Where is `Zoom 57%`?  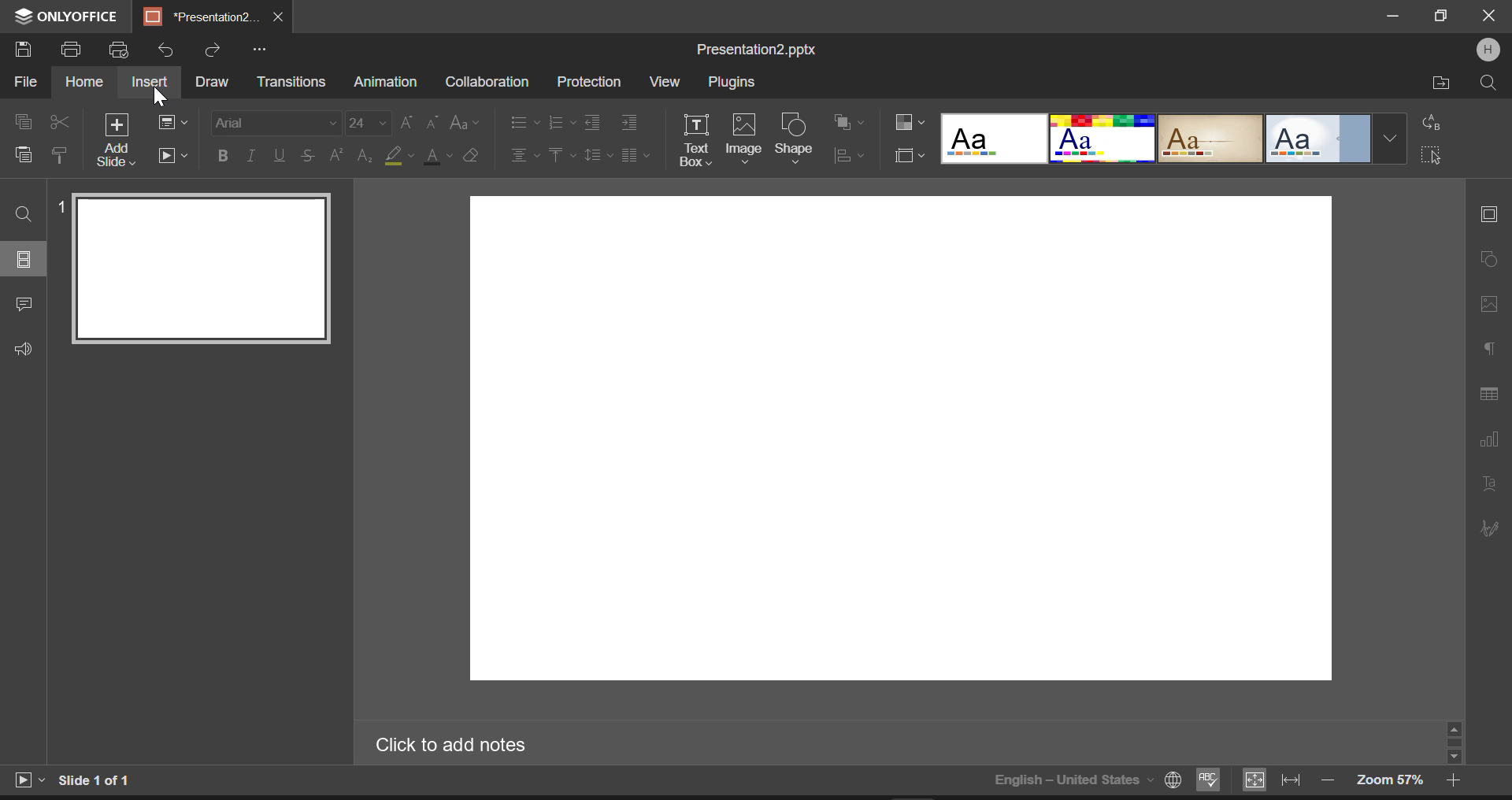 Zoom 57% is located at coordinates (1390, 780).